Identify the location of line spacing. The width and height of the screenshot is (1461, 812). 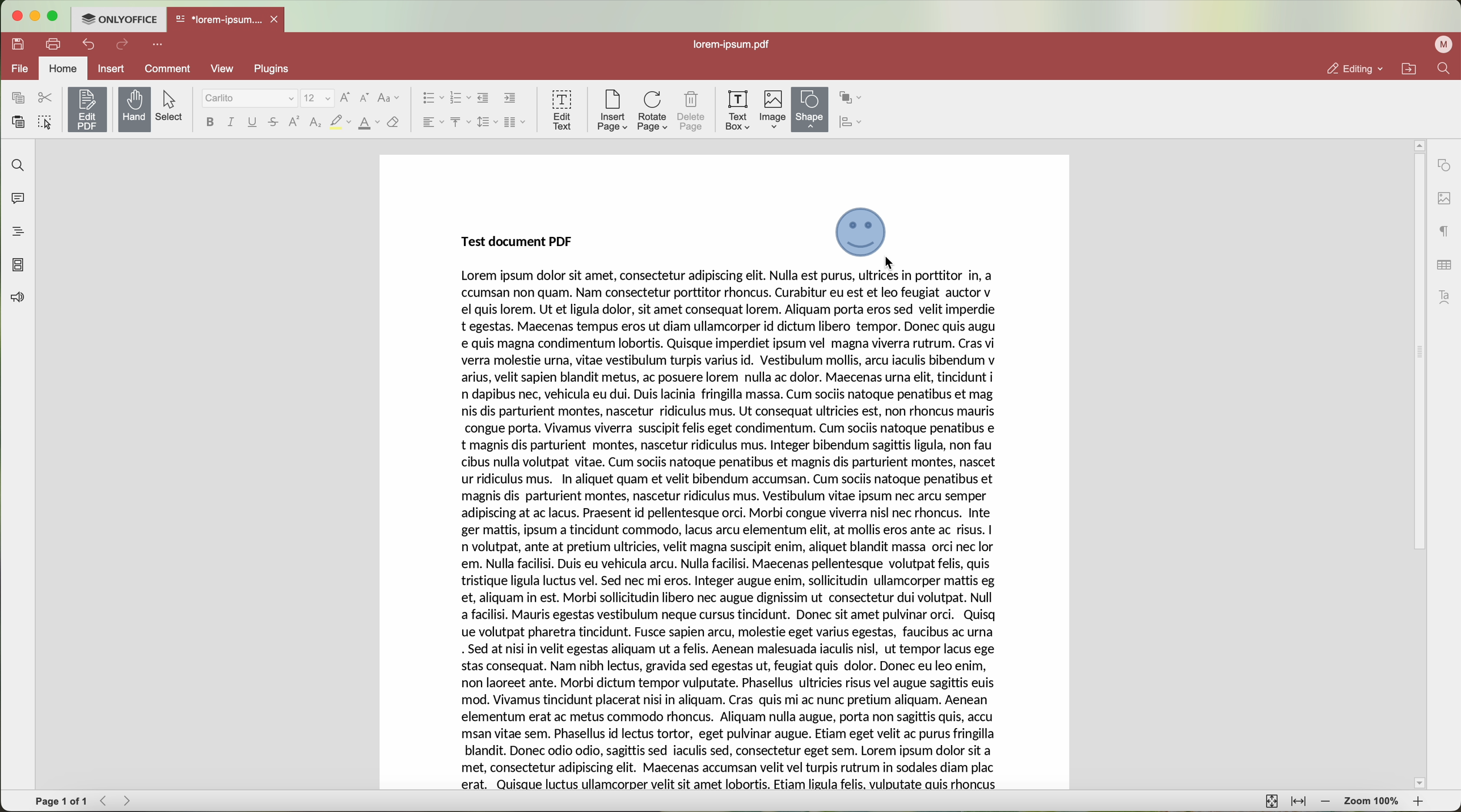
(485, 122).